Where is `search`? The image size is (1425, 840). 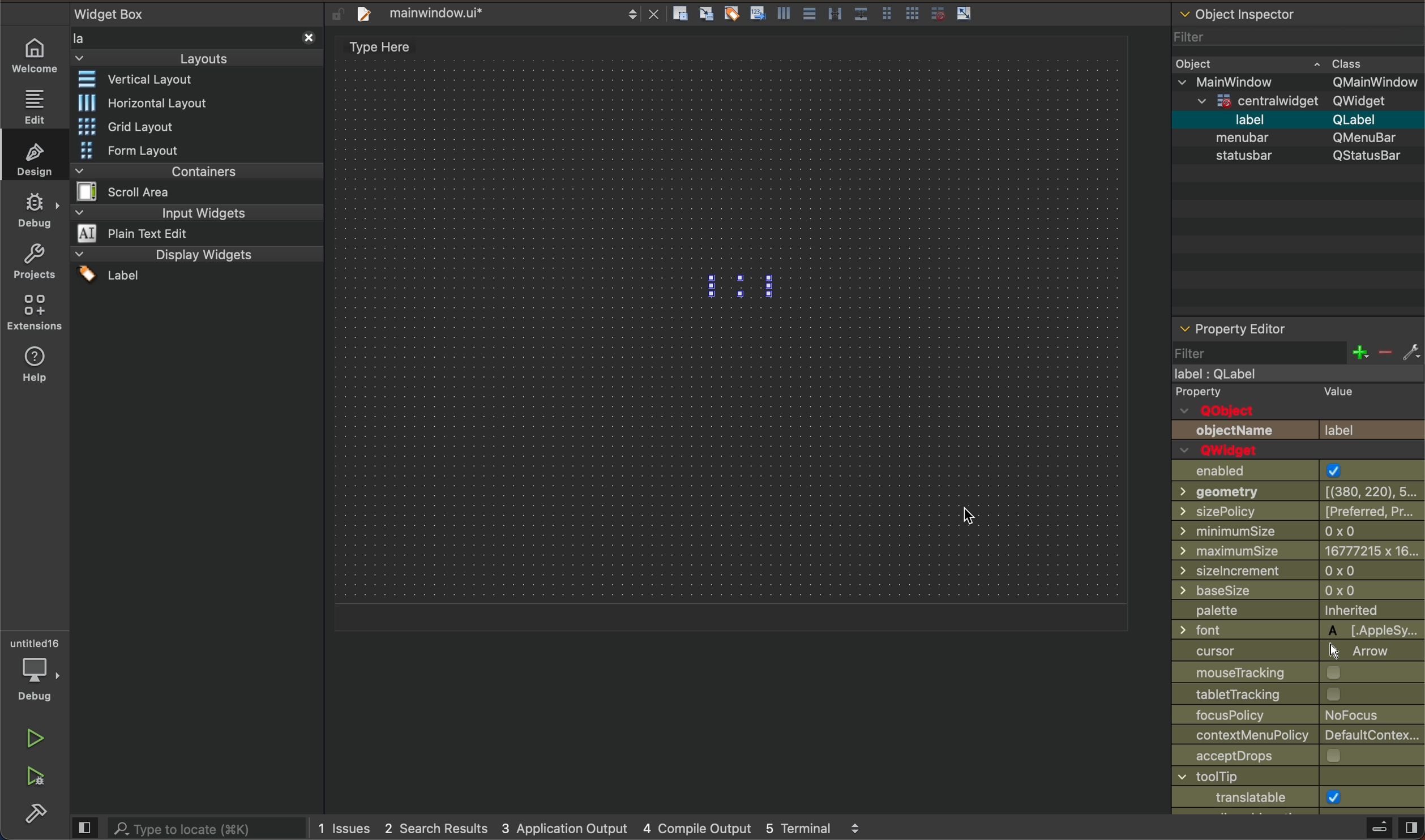 search is located at coordinates (189, 827).